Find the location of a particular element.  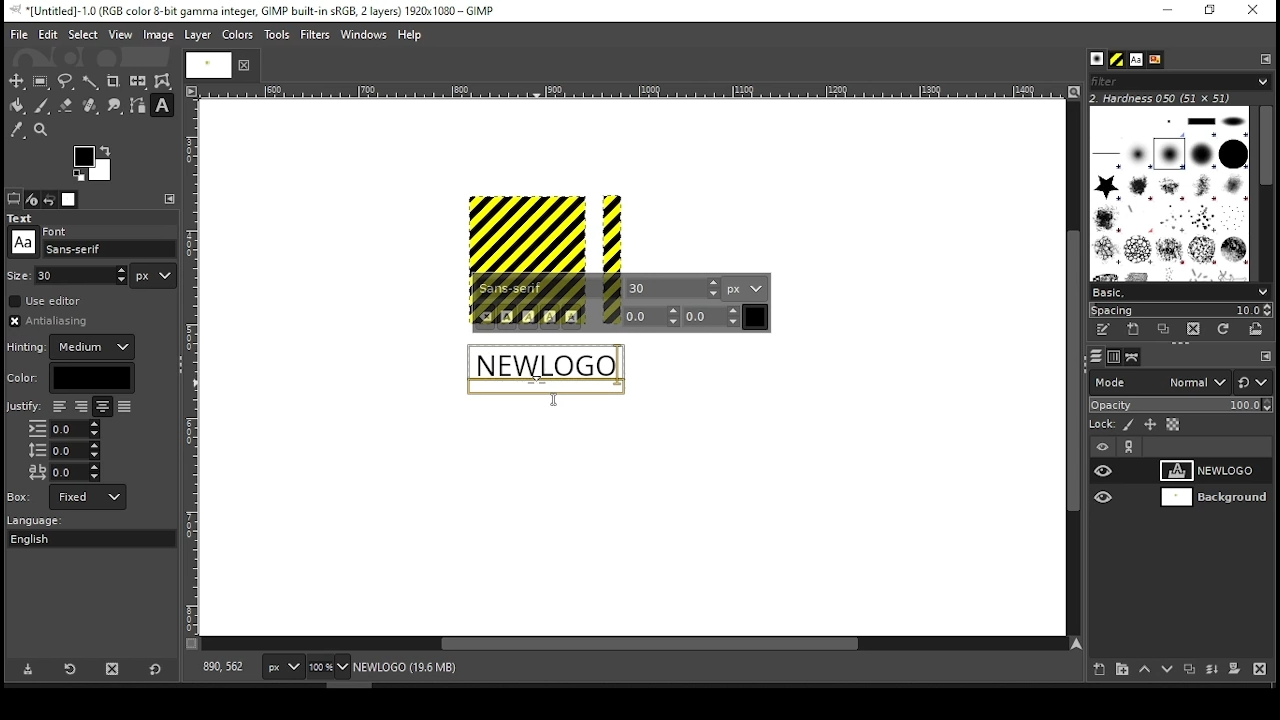

undo history is located at coordinates (51, 200).